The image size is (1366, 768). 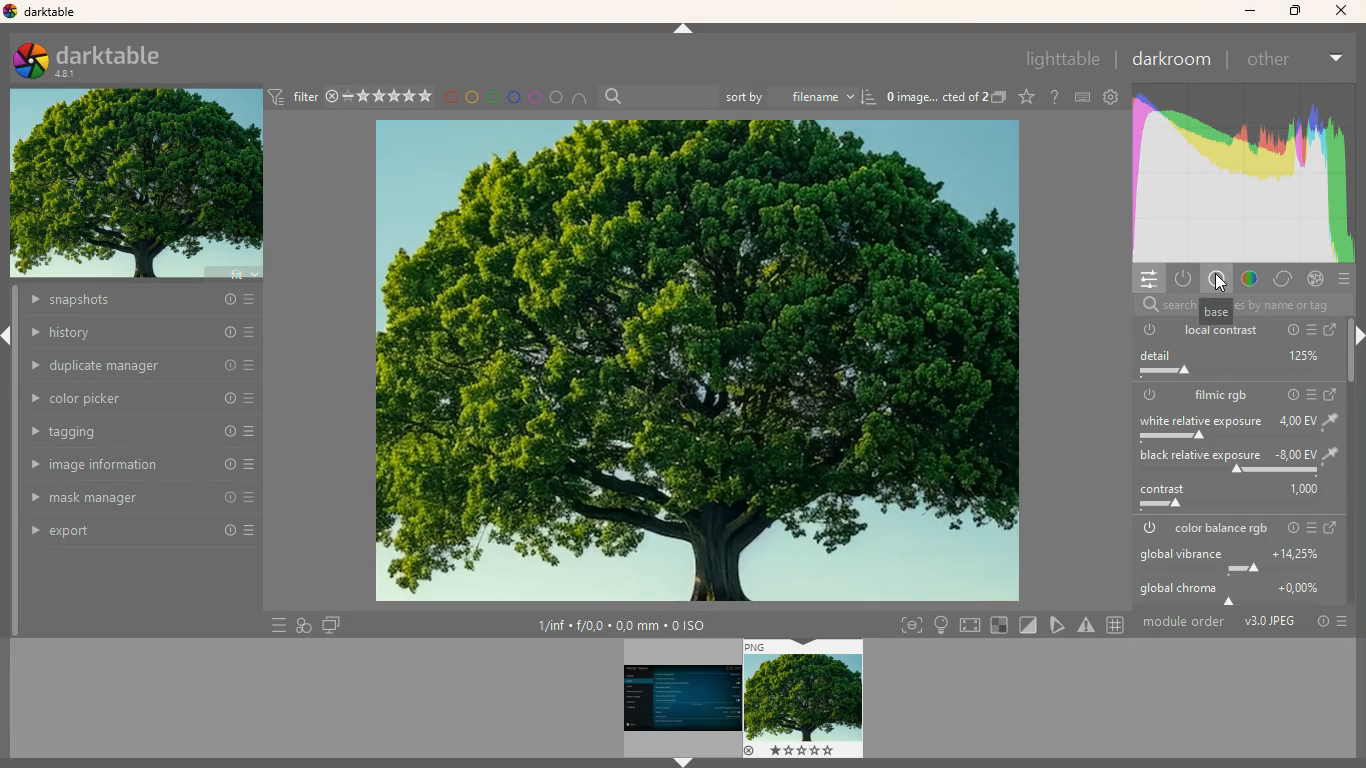 I want to click on filter, so click(x=305, y=94).